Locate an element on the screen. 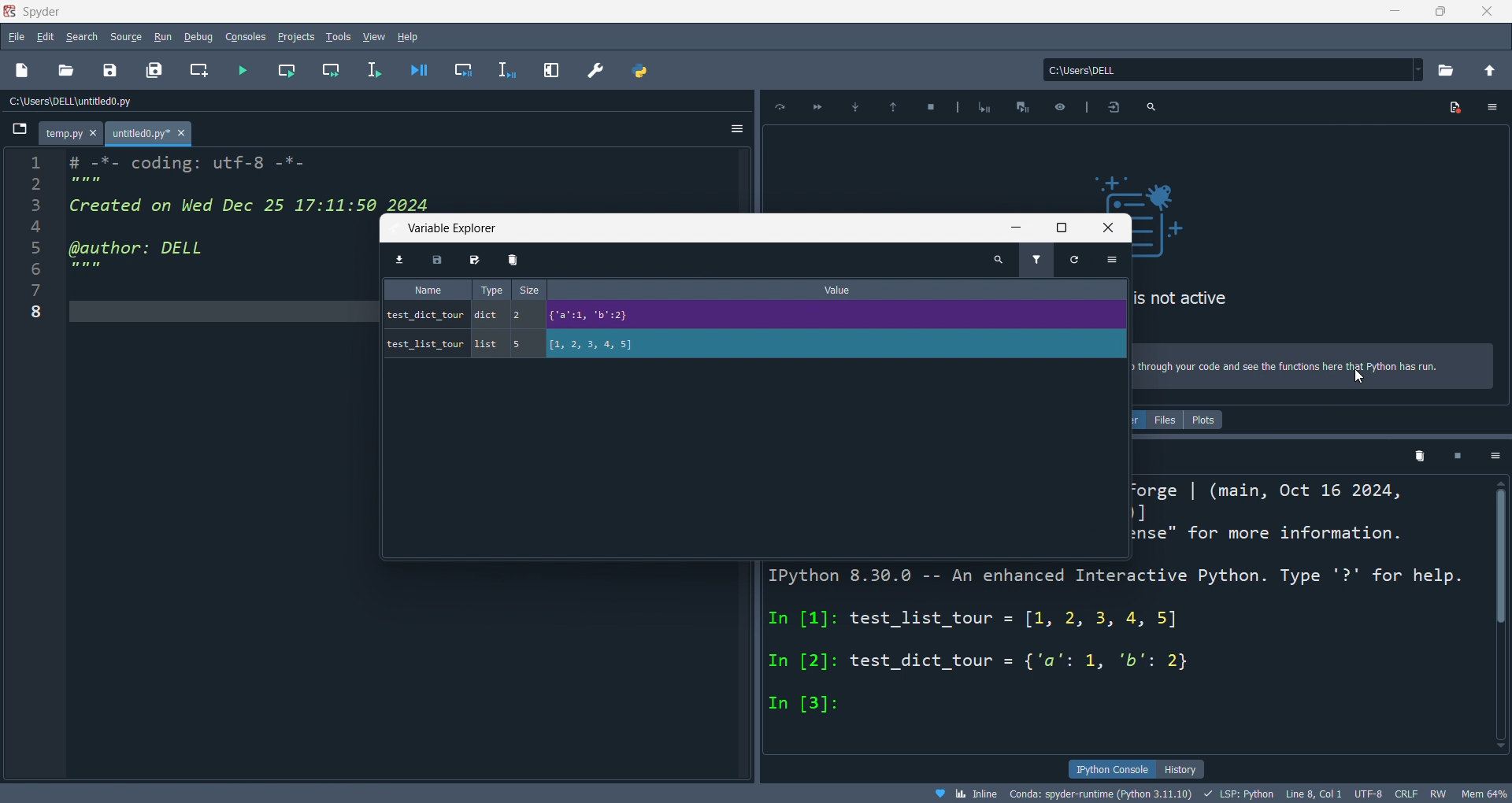  test_dict_tour  is located at coordinates (750, 318).